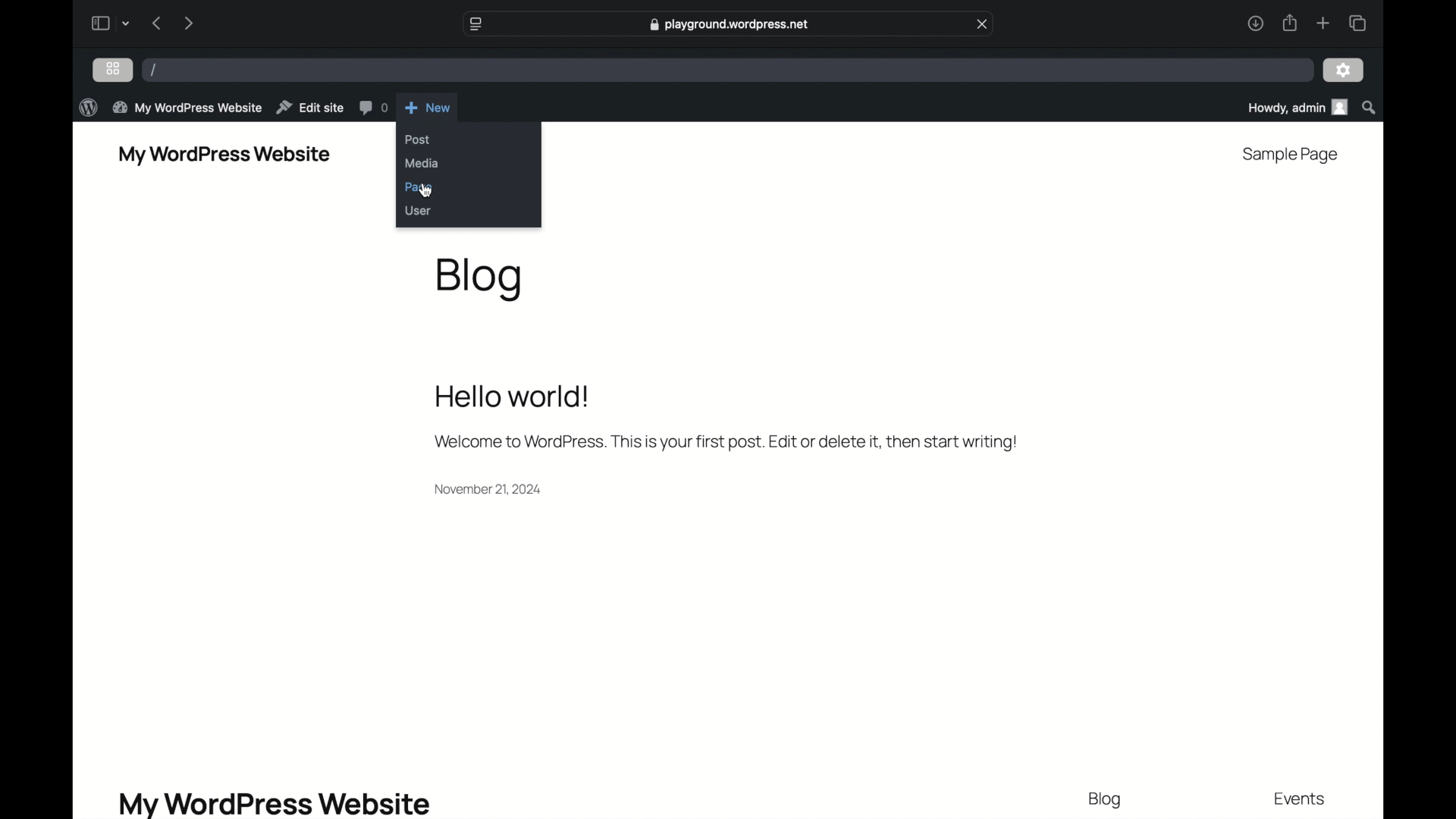  Describe the element at coordinates (1344, 71) in the screenshot. I see `settings` at that location.